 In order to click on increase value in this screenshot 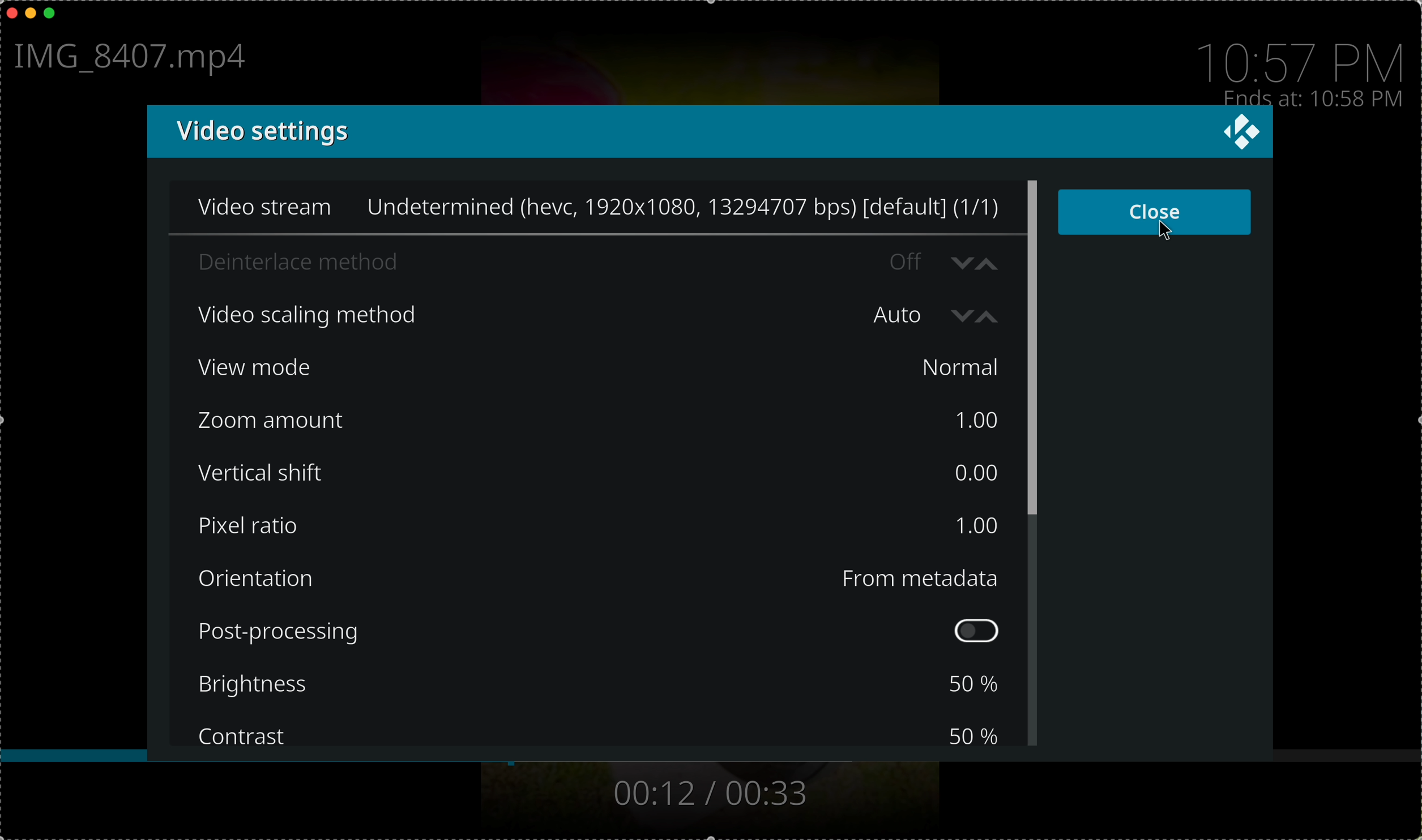, I will do `click(991, 316)`.